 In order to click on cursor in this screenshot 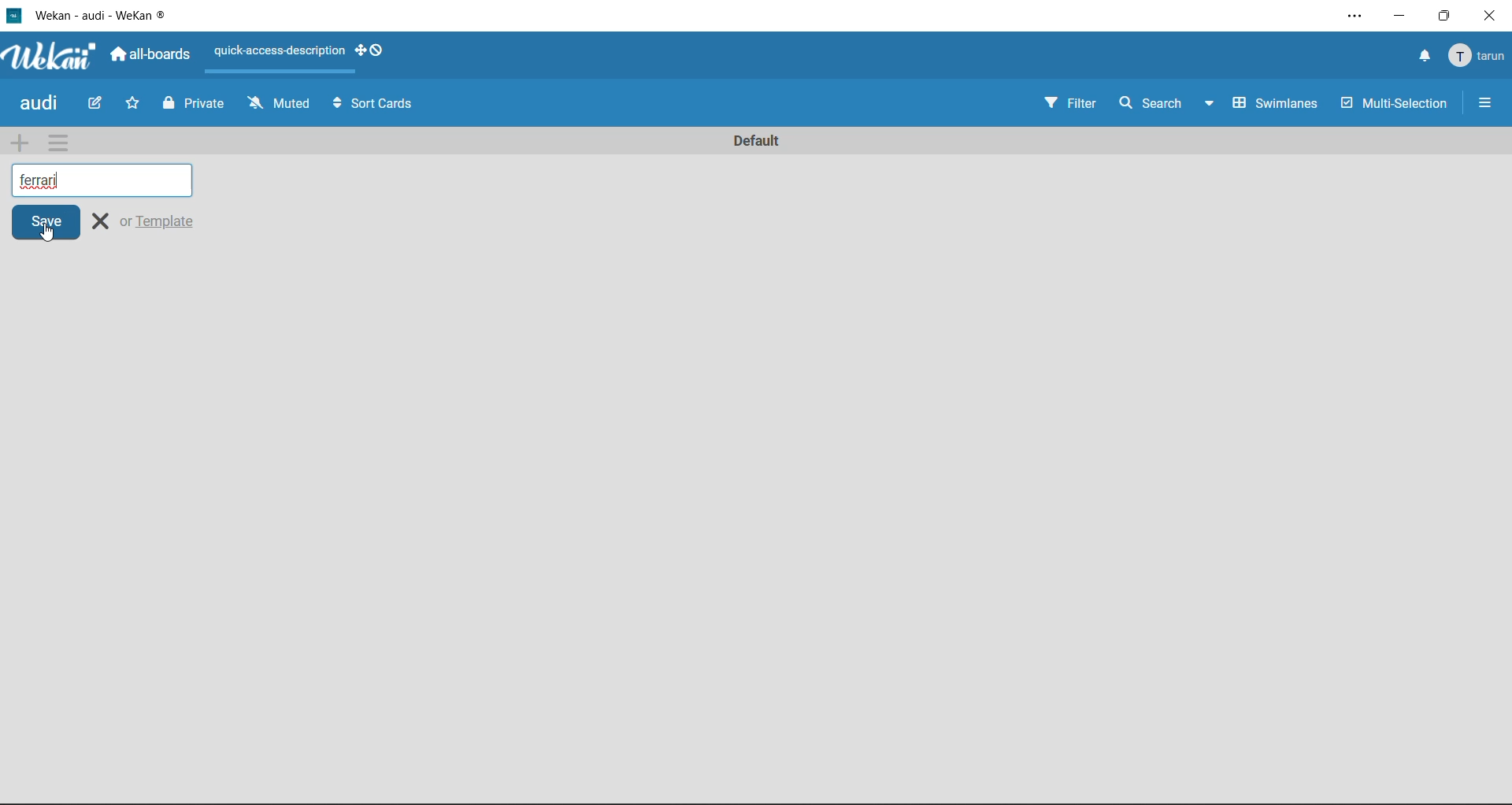, I will do `click(51, 236)`.